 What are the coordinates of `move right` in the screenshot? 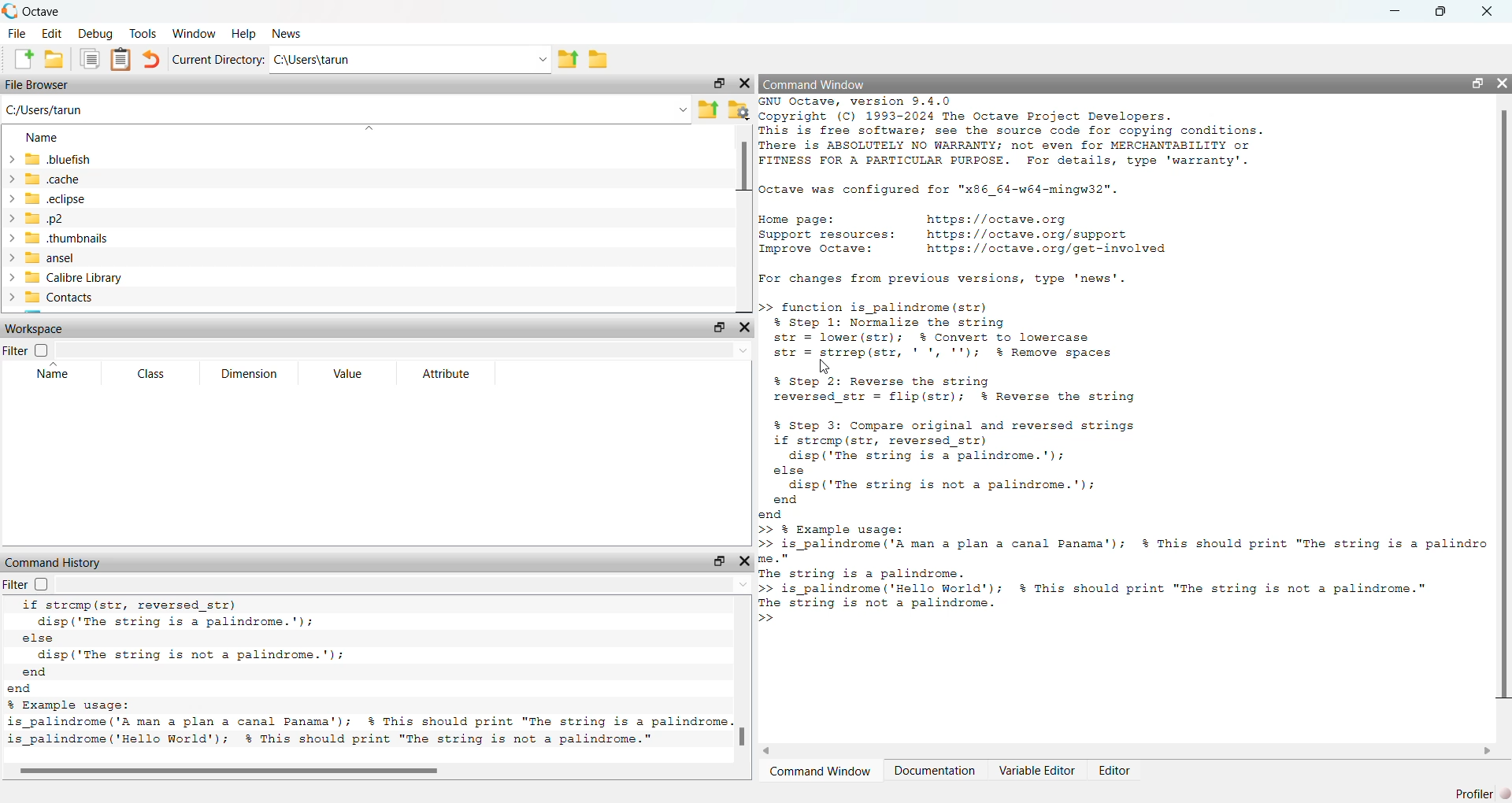 It's located at (1490, 751).